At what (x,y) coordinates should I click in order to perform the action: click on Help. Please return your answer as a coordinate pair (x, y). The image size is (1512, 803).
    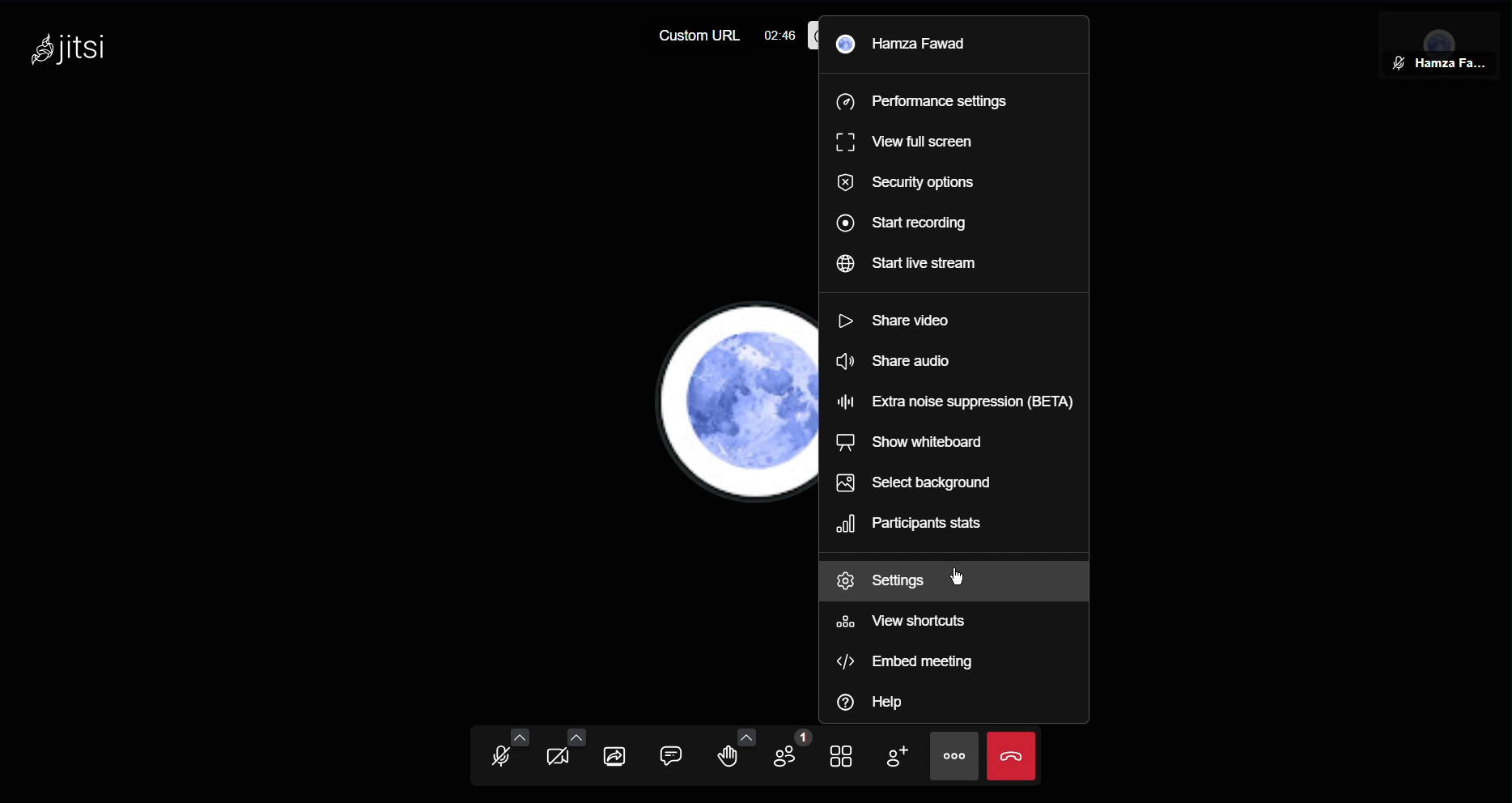
    Looking at the image, I should click on (890, 703).